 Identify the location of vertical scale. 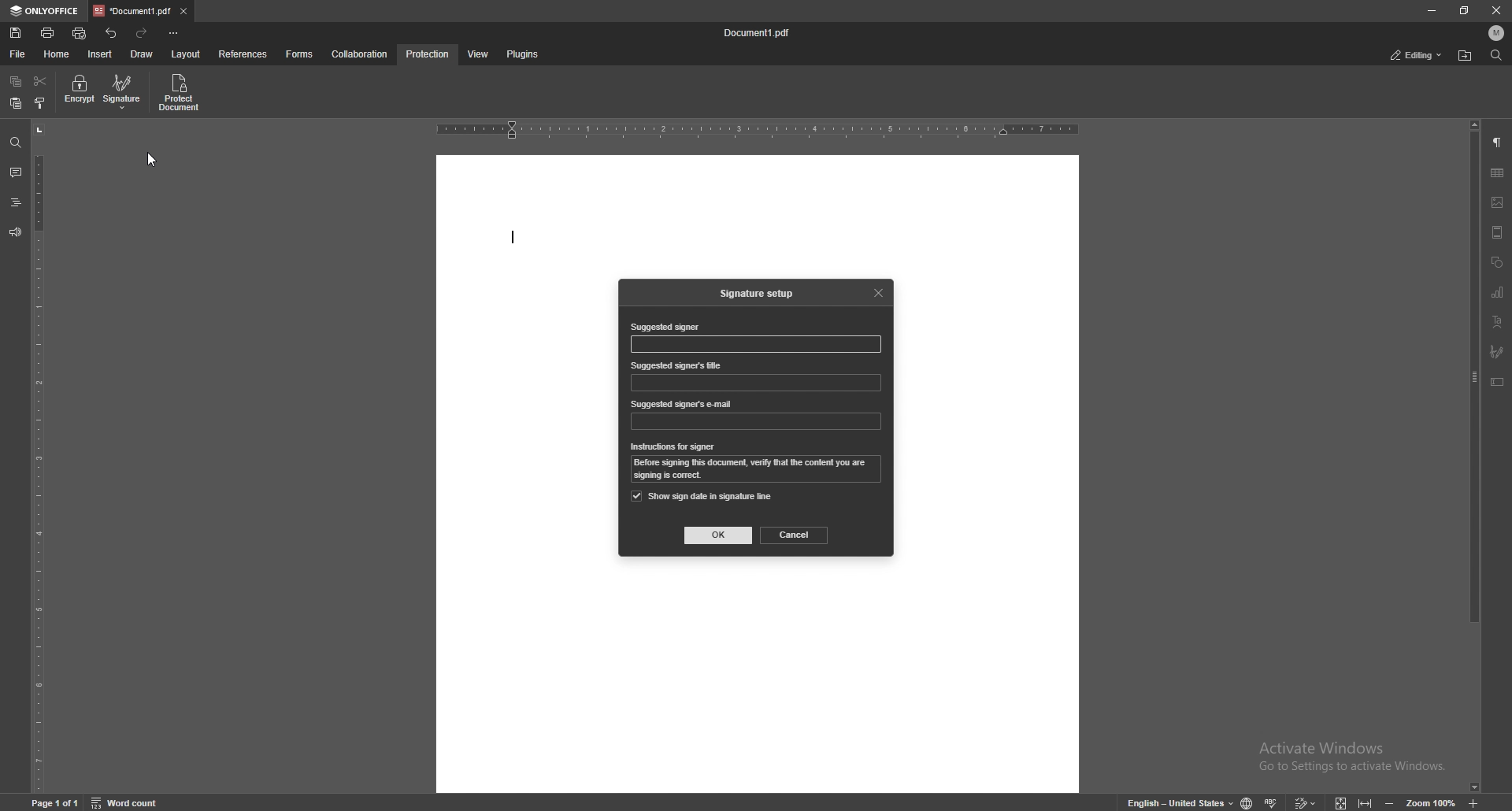
(39, 457).